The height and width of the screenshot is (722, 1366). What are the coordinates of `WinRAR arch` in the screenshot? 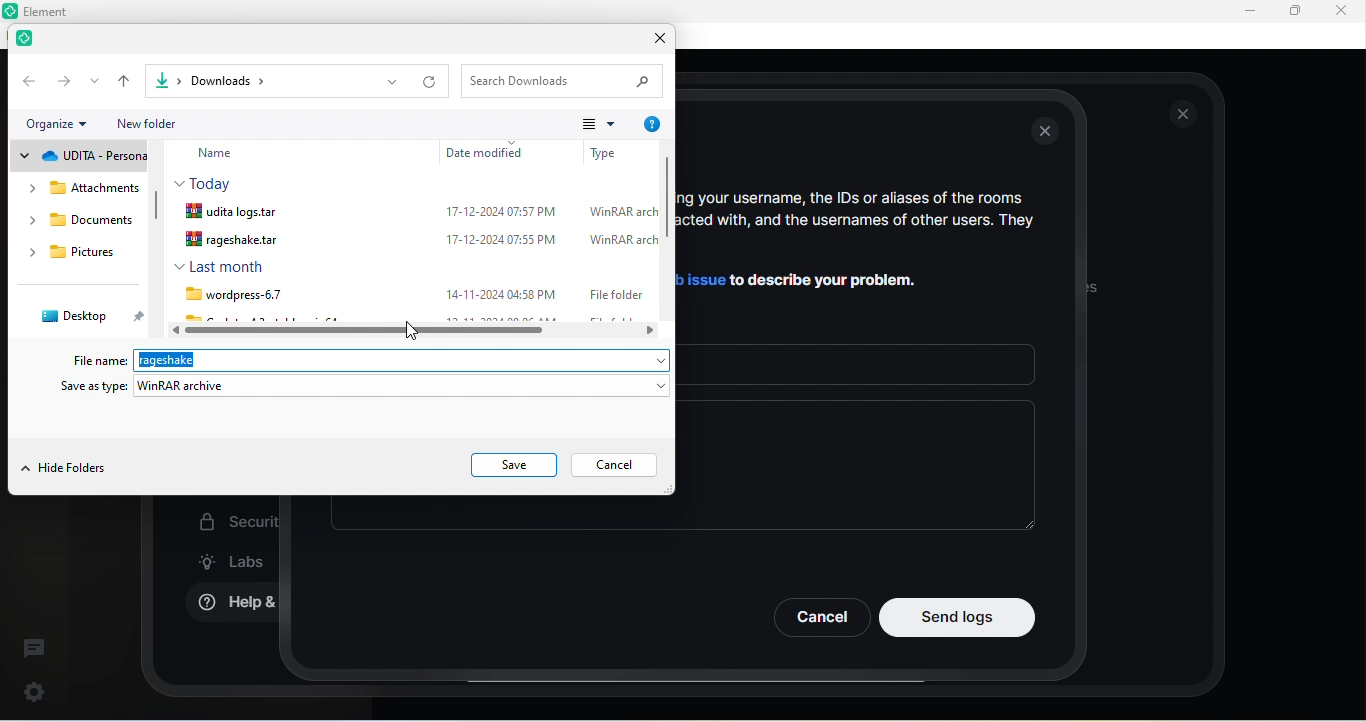 It's located at (622, 212).